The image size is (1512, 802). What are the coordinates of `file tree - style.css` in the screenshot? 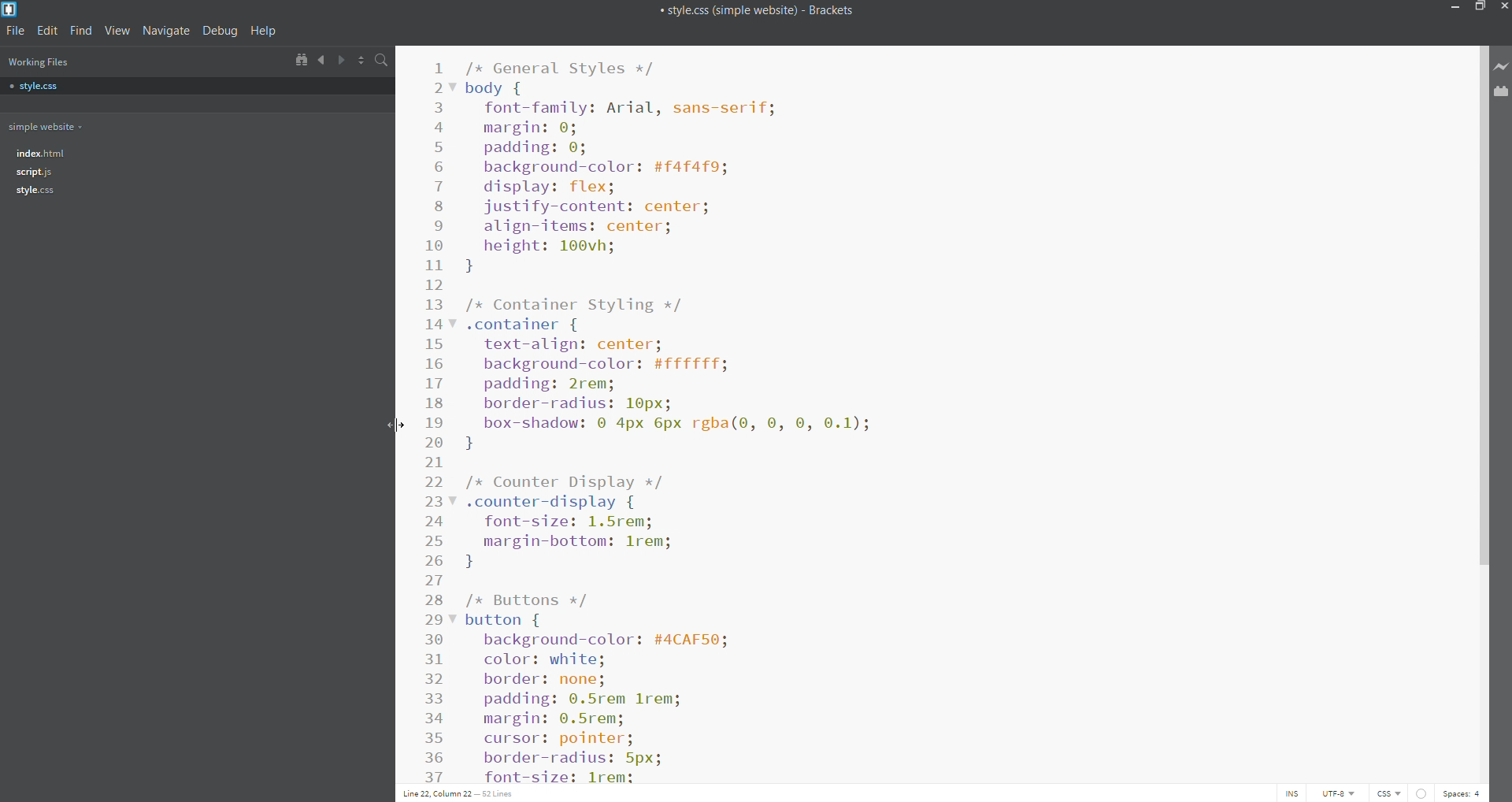 It's located at (35, 191).